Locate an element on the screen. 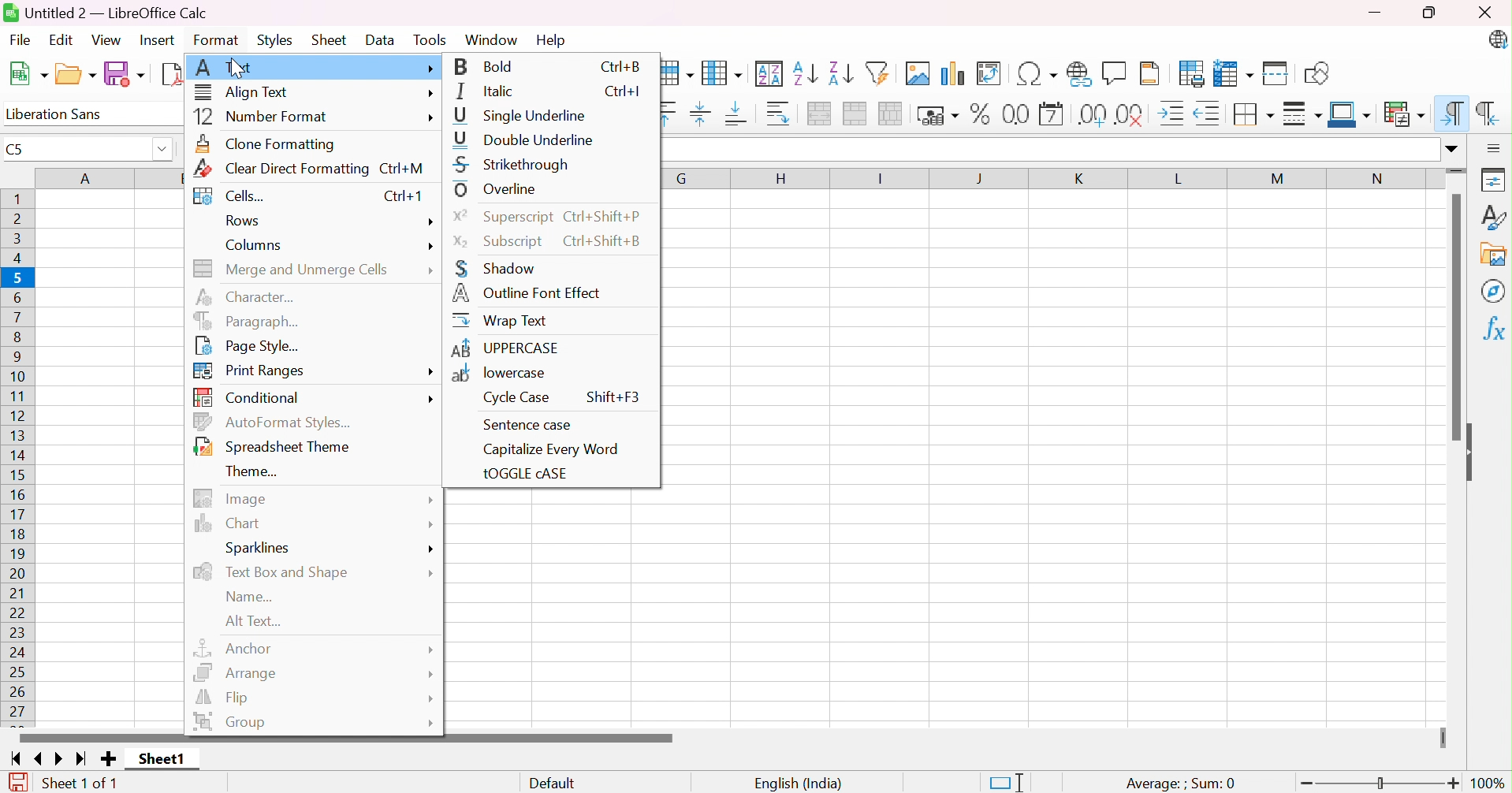 This screenshot has height=793, width=1512. lowercase is located at coordinates (500, 374).